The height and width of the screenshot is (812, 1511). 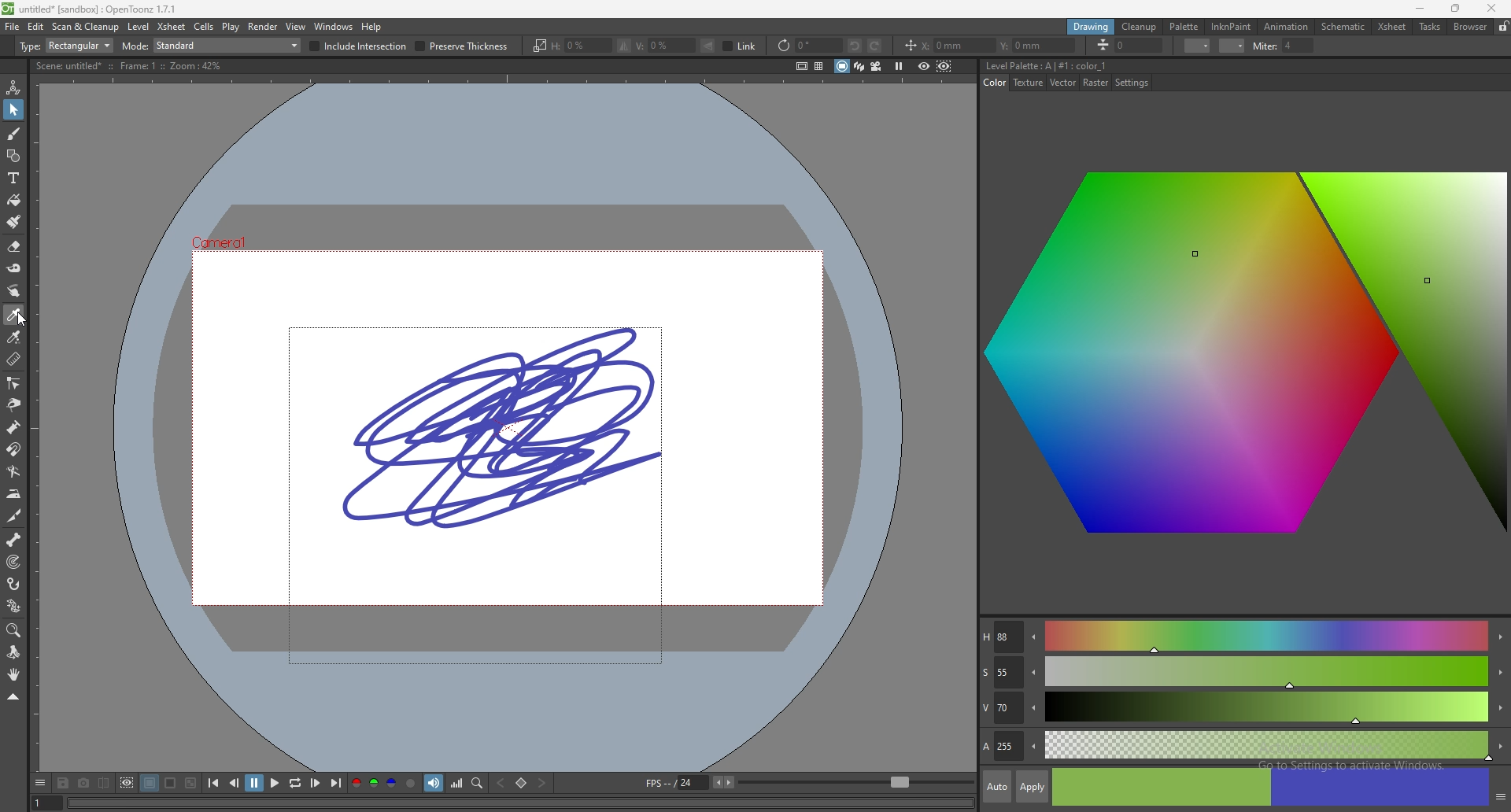 What do you see at coordinates (1500, 795) in the screenshot?
I see `show or hide parts of the color page` at bounding box center [1500, 795].